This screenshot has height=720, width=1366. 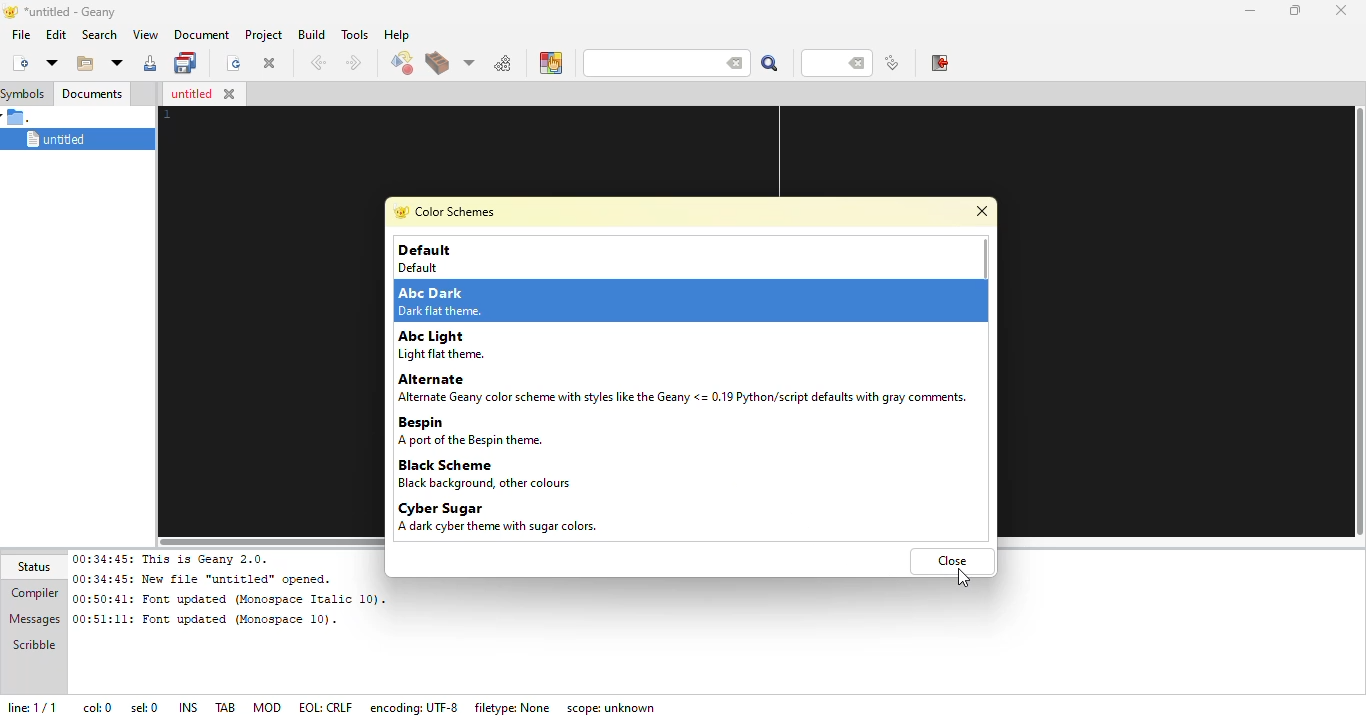 What do you see at coordinates (56, 35) in the screenshot?
I see `edit` at bounding box center [56, 35].